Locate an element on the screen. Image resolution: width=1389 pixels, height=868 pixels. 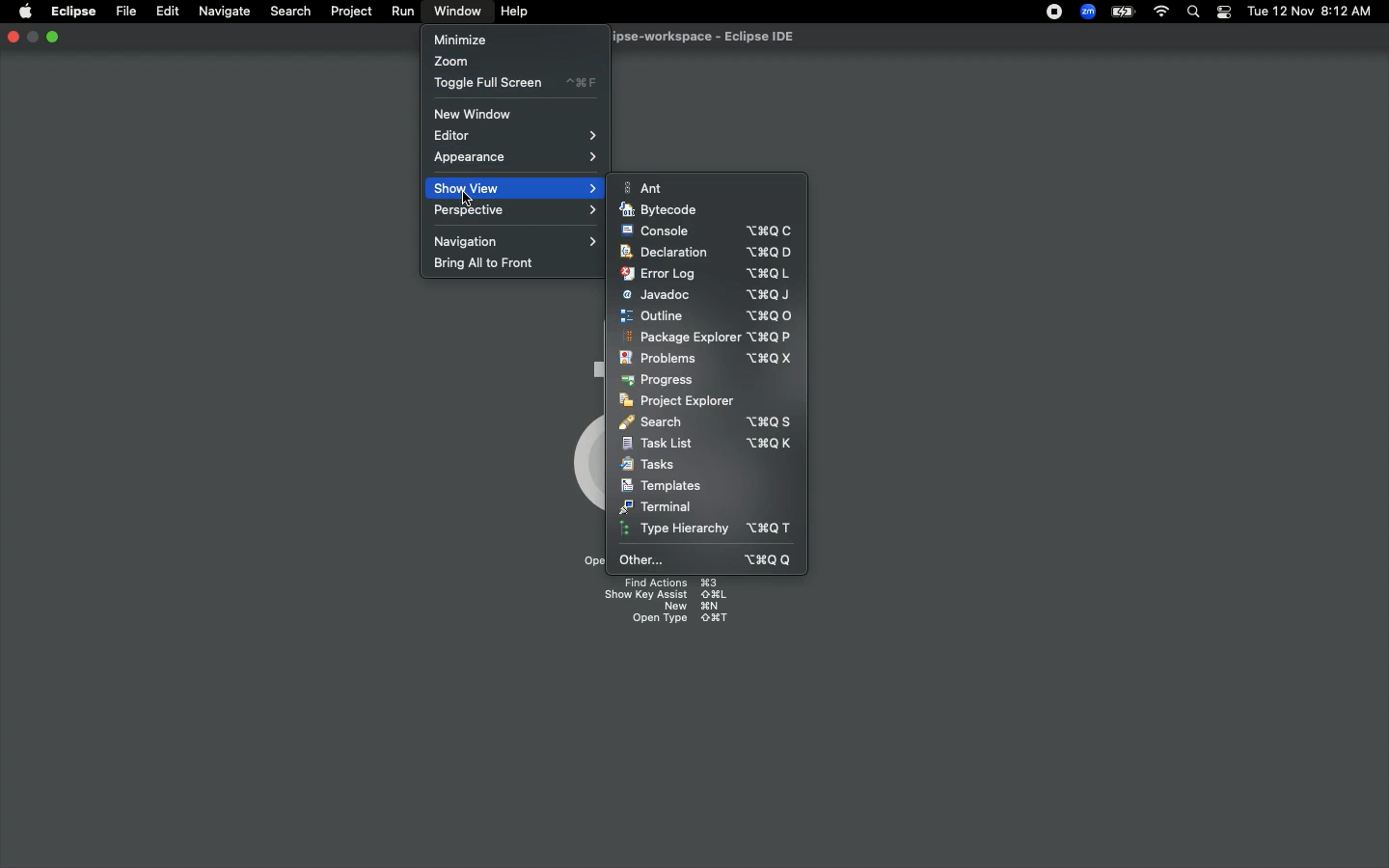
Open type is located at coordinates (680, 621).